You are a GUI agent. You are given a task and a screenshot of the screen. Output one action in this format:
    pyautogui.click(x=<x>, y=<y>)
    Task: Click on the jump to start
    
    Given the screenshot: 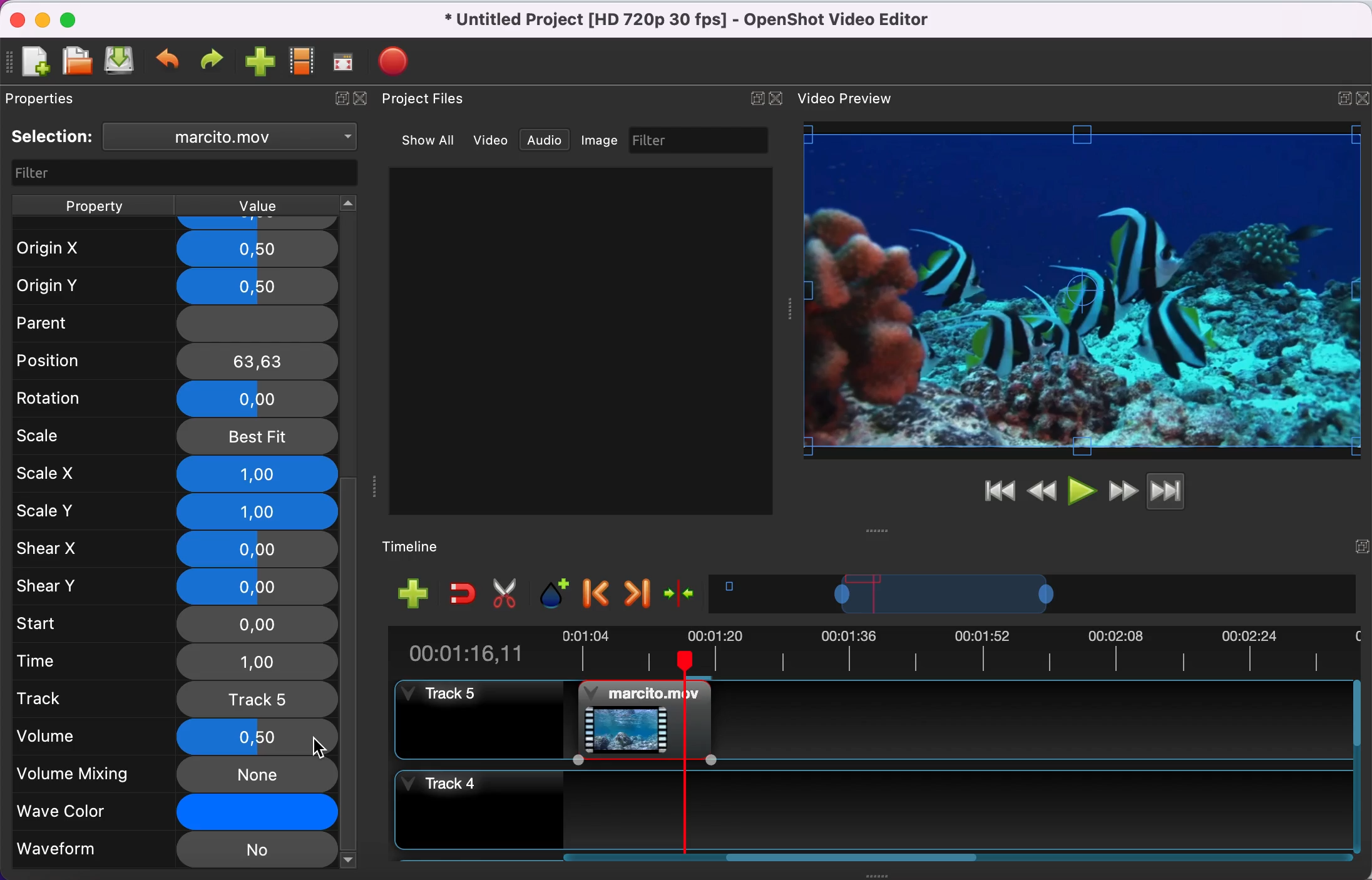 What is the action you would take?
    pyautogui.click(x=999, y=492)
    